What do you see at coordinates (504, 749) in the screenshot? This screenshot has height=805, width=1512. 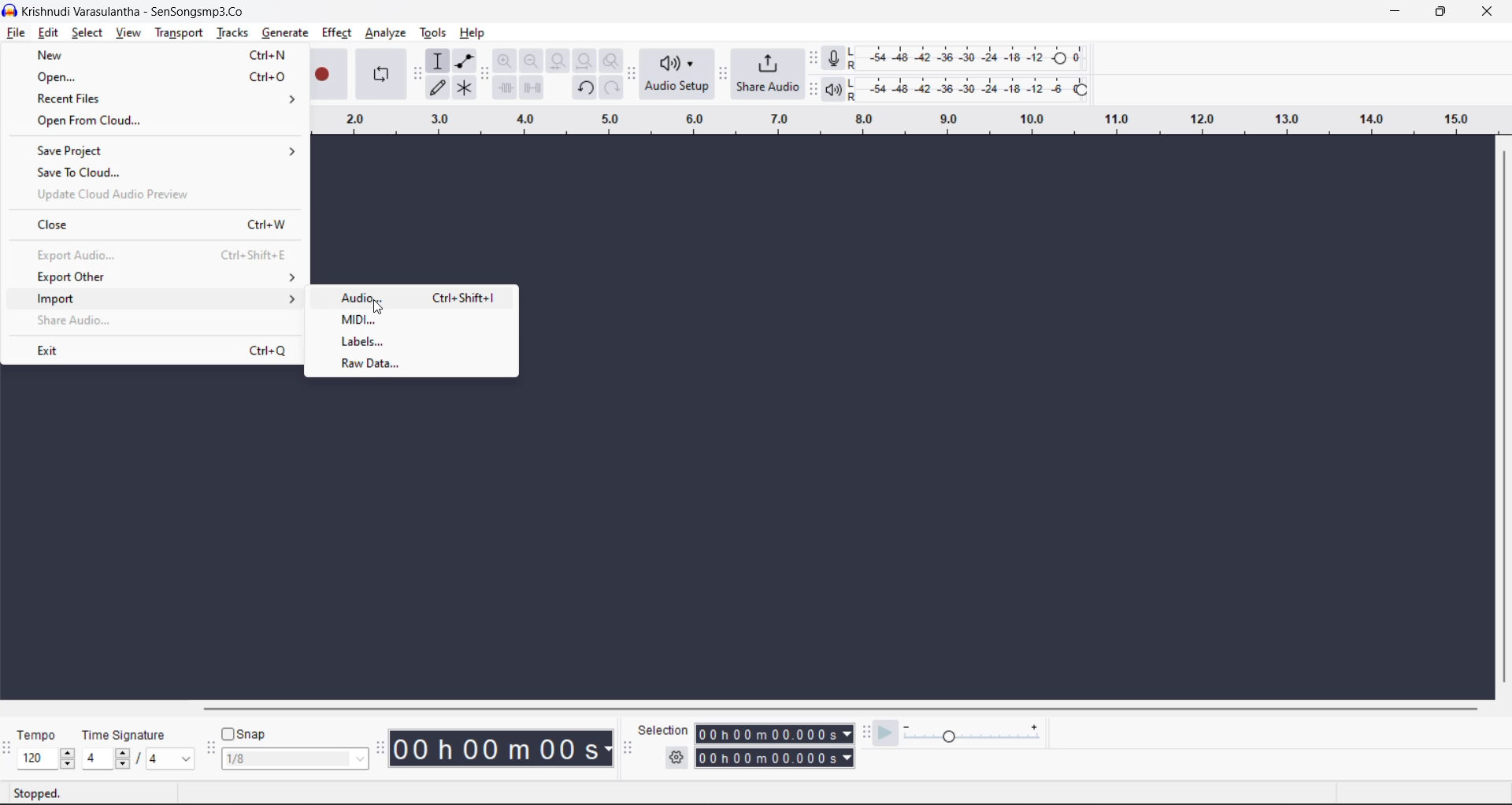 I see `00 h 00m 00s` at bounding box center [504, 749].